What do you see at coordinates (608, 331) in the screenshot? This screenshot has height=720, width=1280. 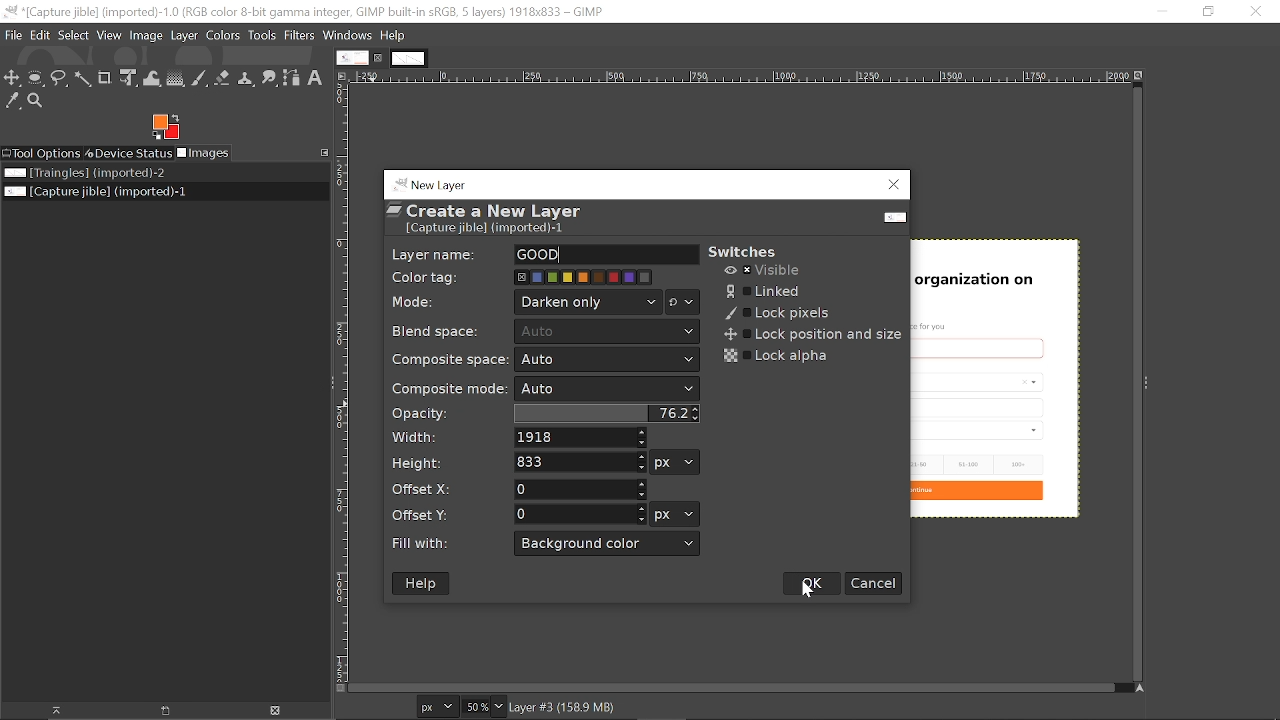 I see `auto` at bounding box center [608, 331].